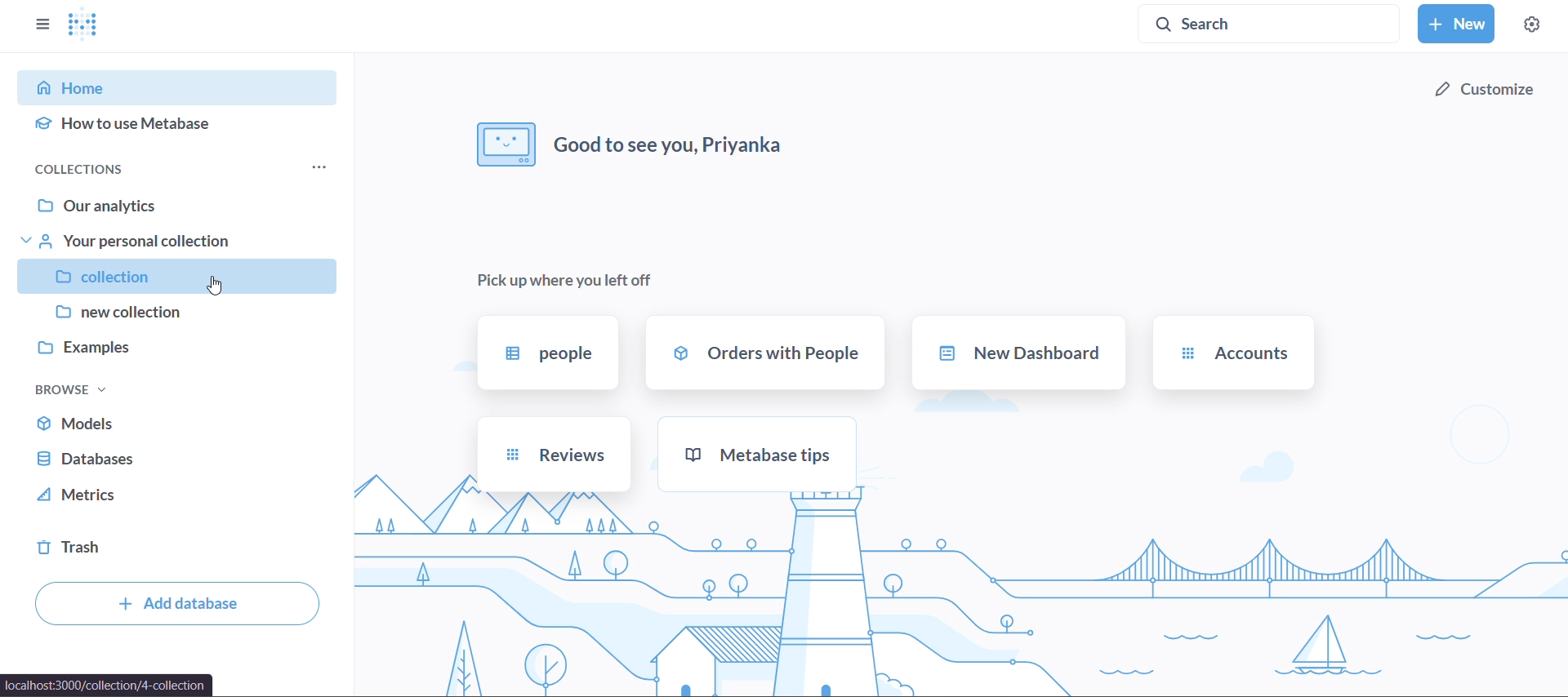 Image resolution: width=1568 pixels, height=697 pixels. What do you see at coordinates (108, 685) in the screenshot?
I see `url` at bounding box center [108, 685].